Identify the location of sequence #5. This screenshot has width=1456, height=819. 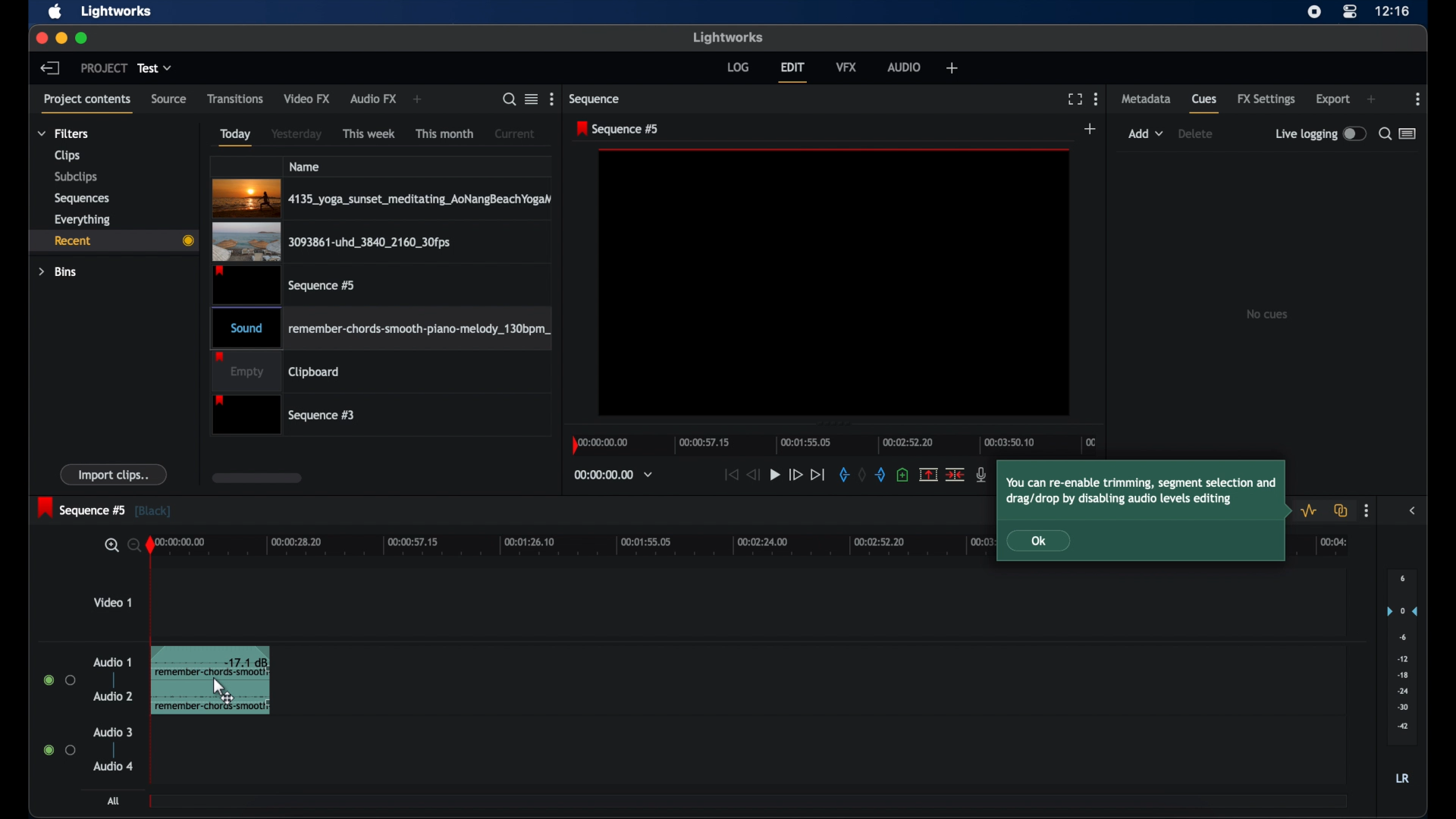
(283, 284).